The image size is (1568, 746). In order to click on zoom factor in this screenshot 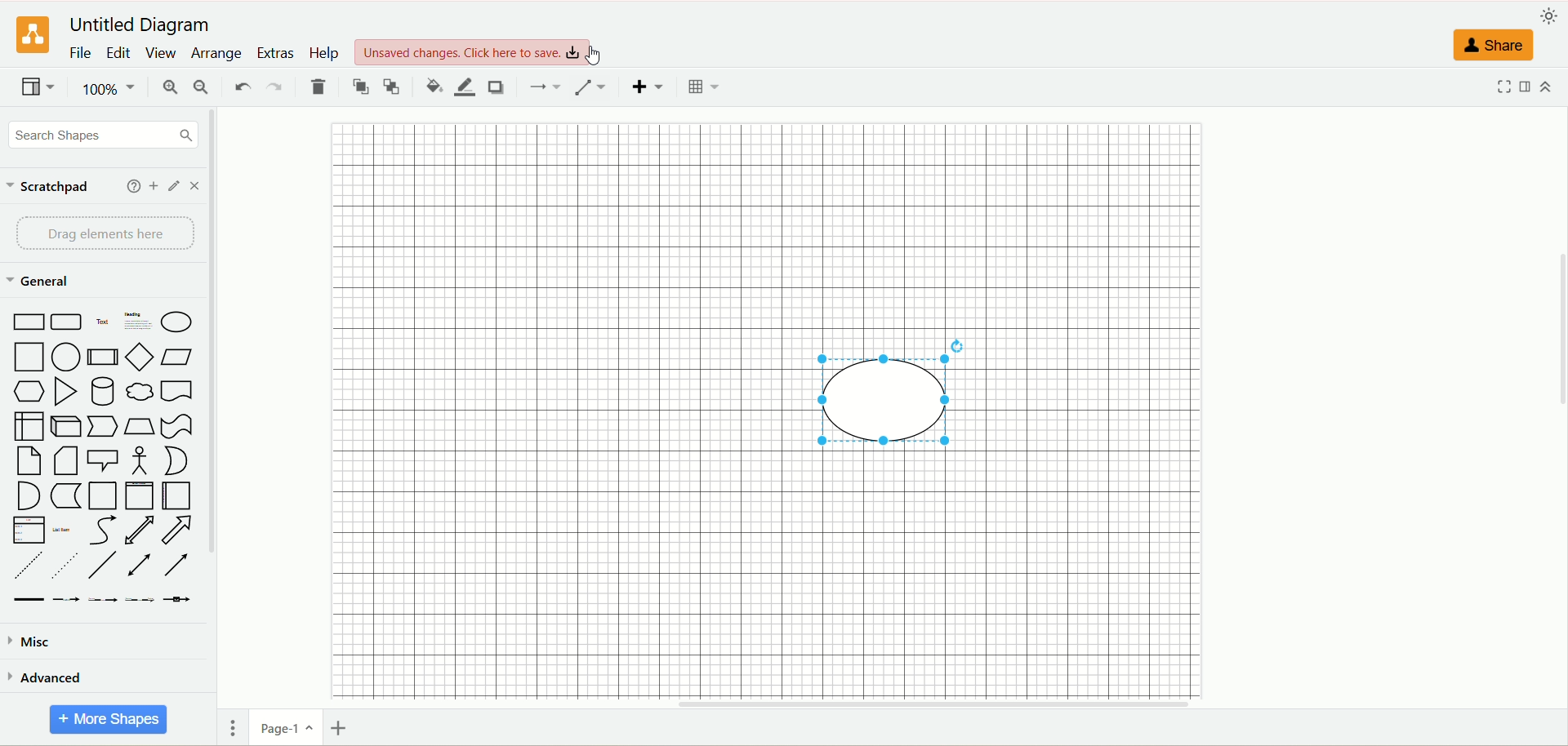, I will do `click(112, 88)`.